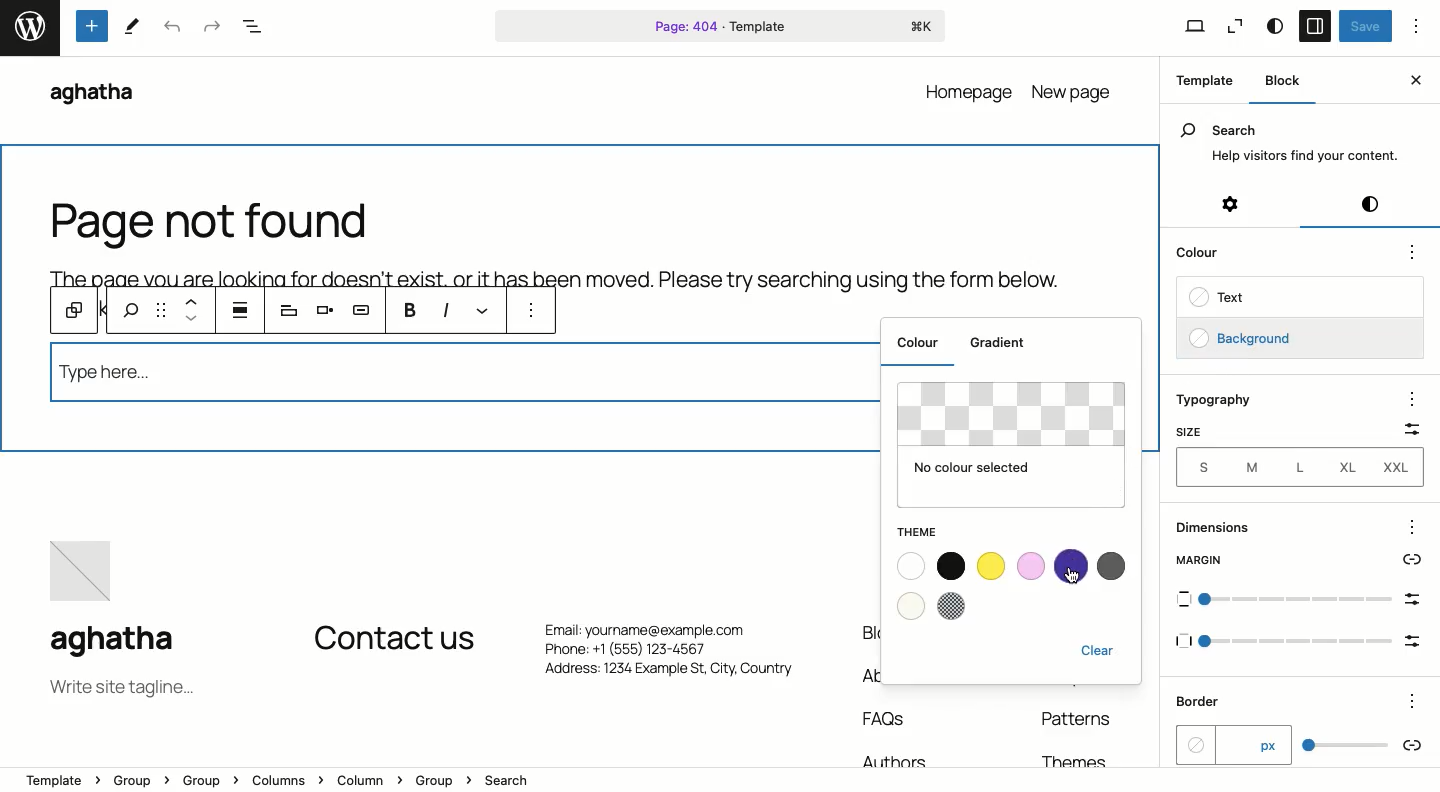 The height and width of the screenshot is (792, 1440). What do you see at coordinates (1199, 79) in the screenshot?
I see `Template` at bounding box center [1199, 79].